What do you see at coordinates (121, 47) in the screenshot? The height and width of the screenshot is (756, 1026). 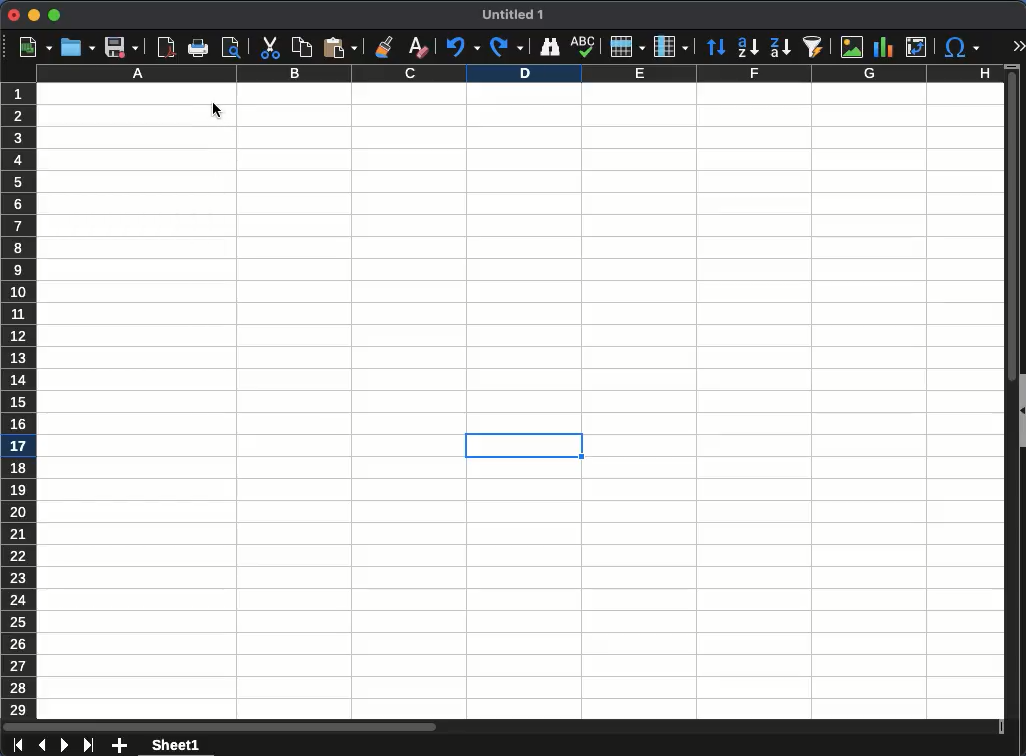 I see `save` at bounding box center [121, 47].